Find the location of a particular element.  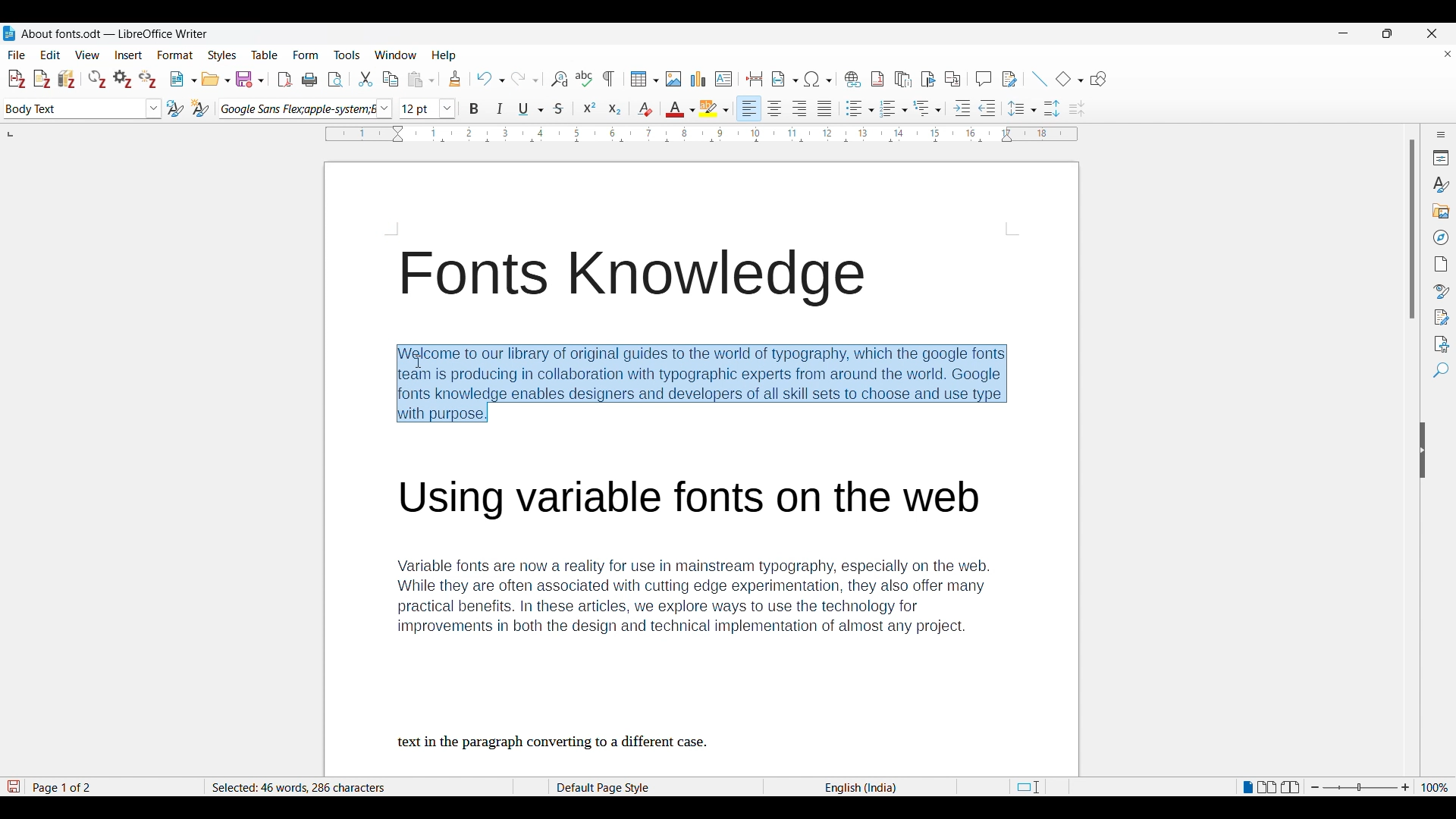

Insert line is located at coordinates (1039, 79).